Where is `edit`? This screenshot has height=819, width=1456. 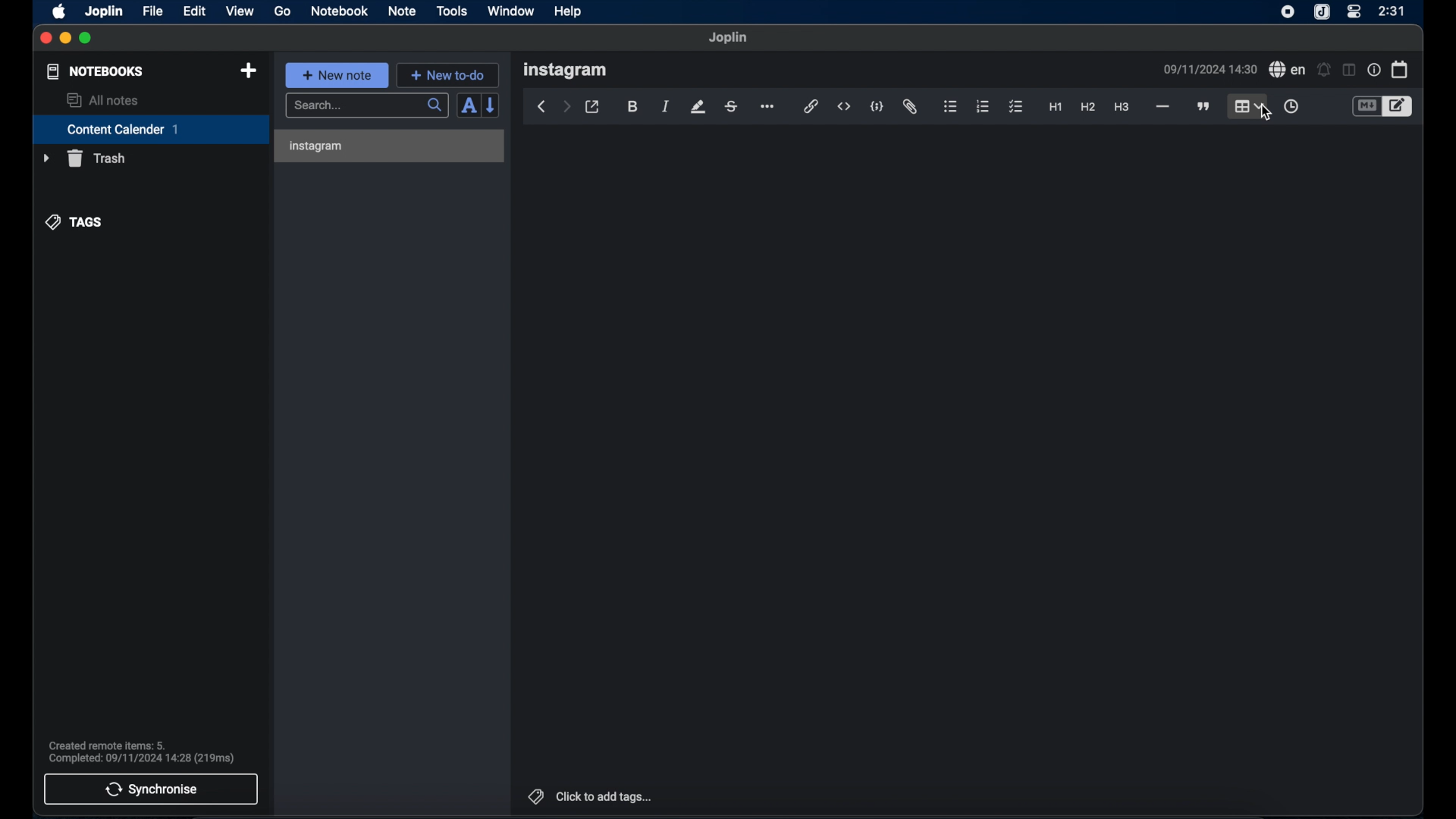 edit is located at coordinates (196, 12).